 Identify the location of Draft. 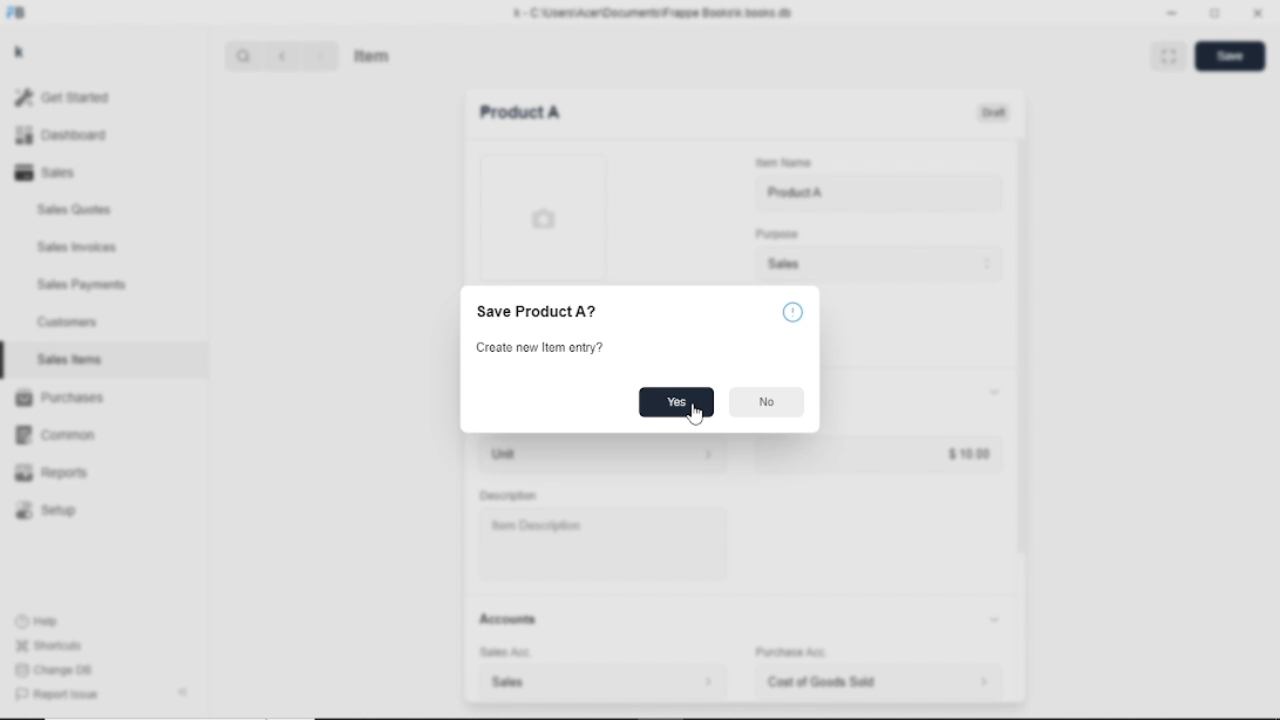
(996, 113).